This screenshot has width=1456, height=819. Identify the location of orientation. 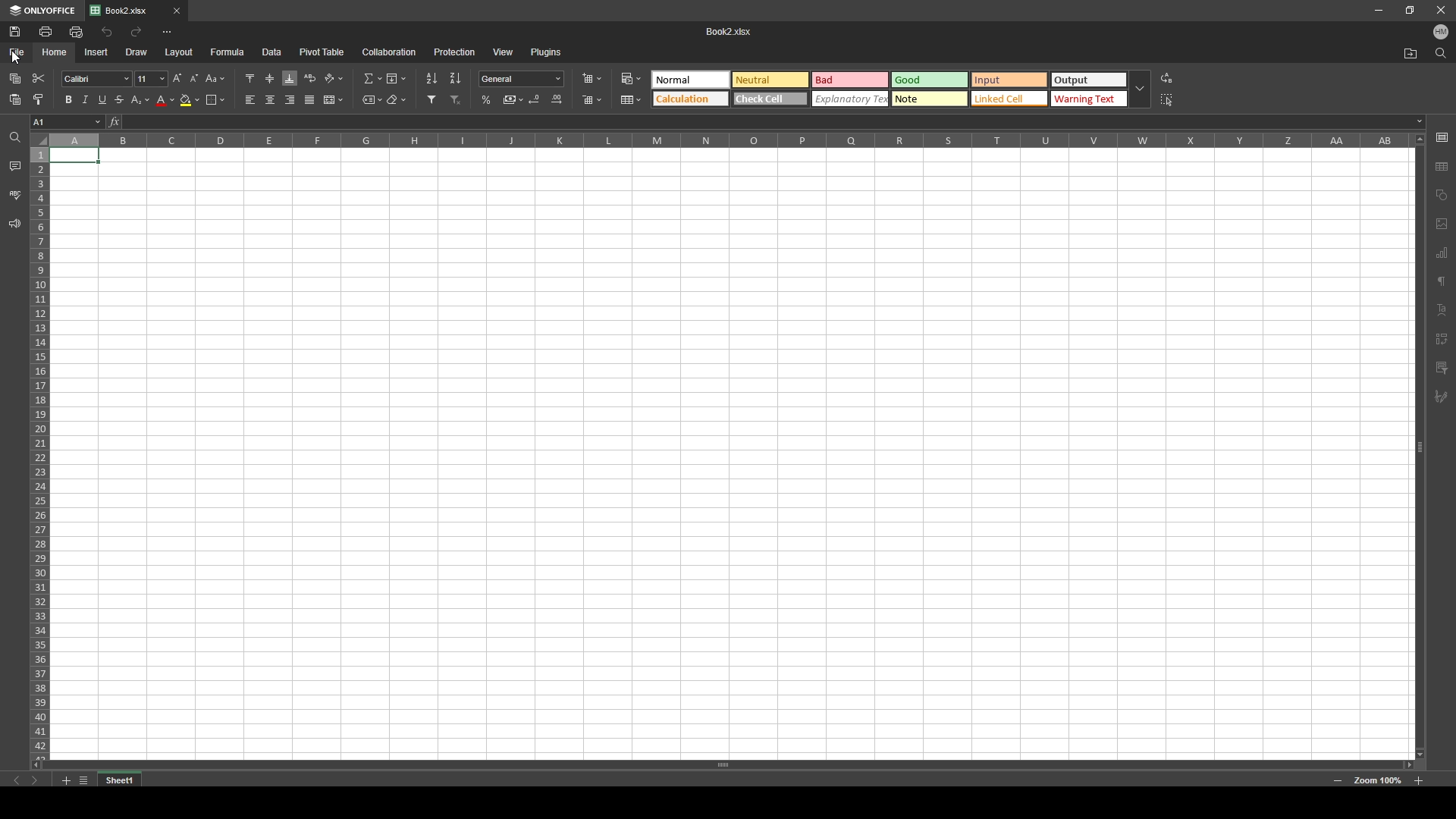
(335, 78).